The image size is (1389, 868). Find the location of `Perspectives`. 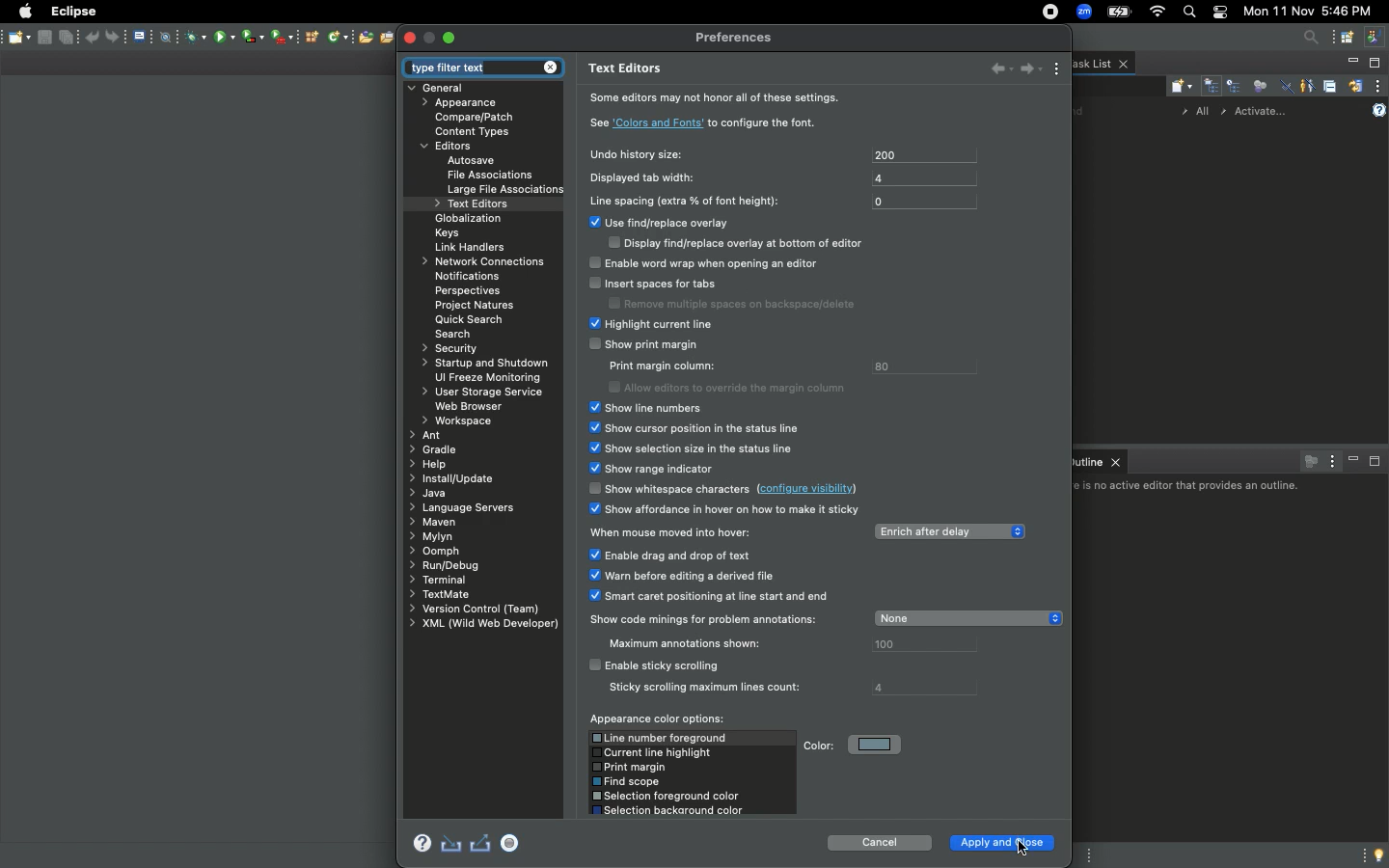

Perspectives is located at coordinates (466, 291).